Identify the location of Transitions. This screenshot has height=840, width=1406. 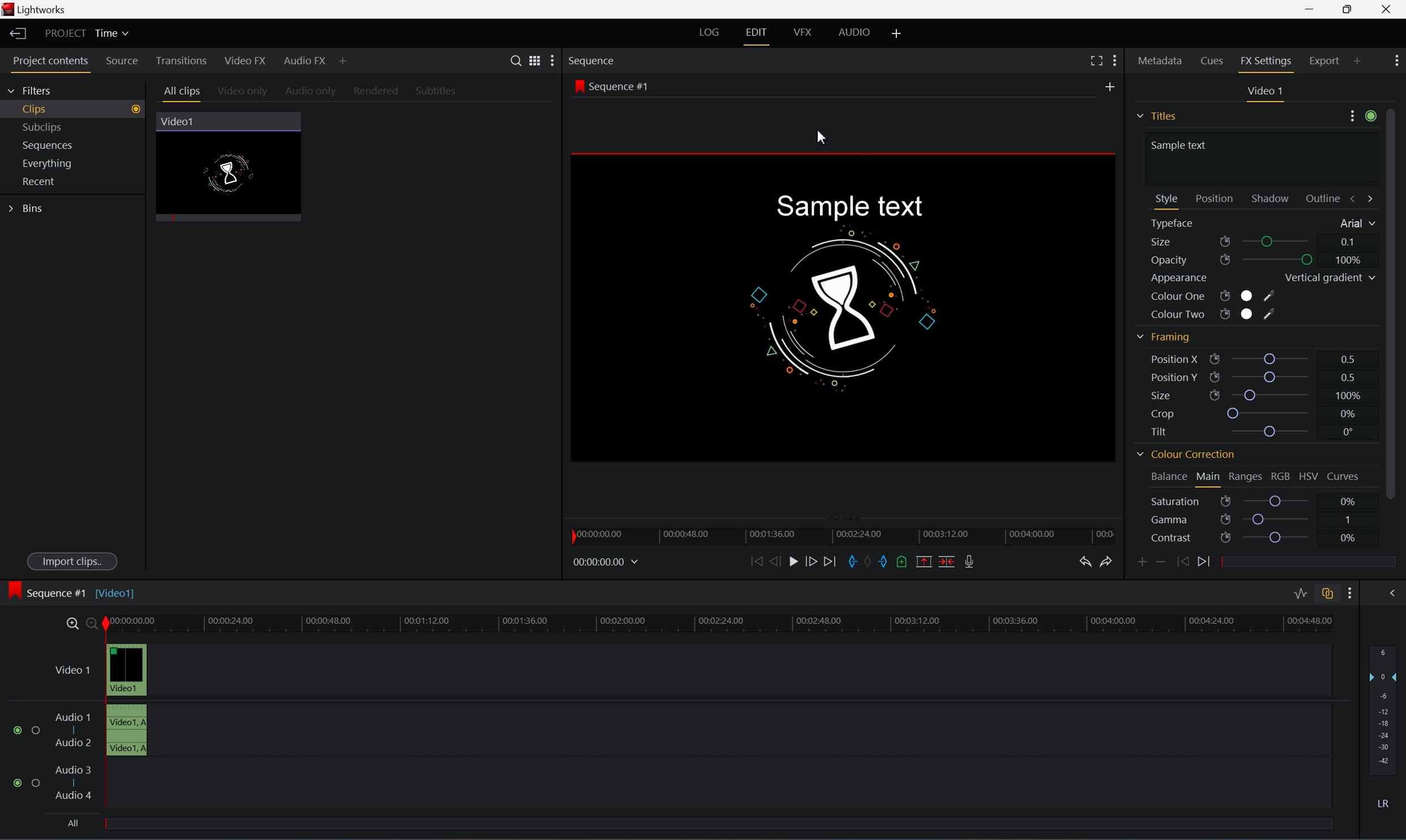
(181, 61).